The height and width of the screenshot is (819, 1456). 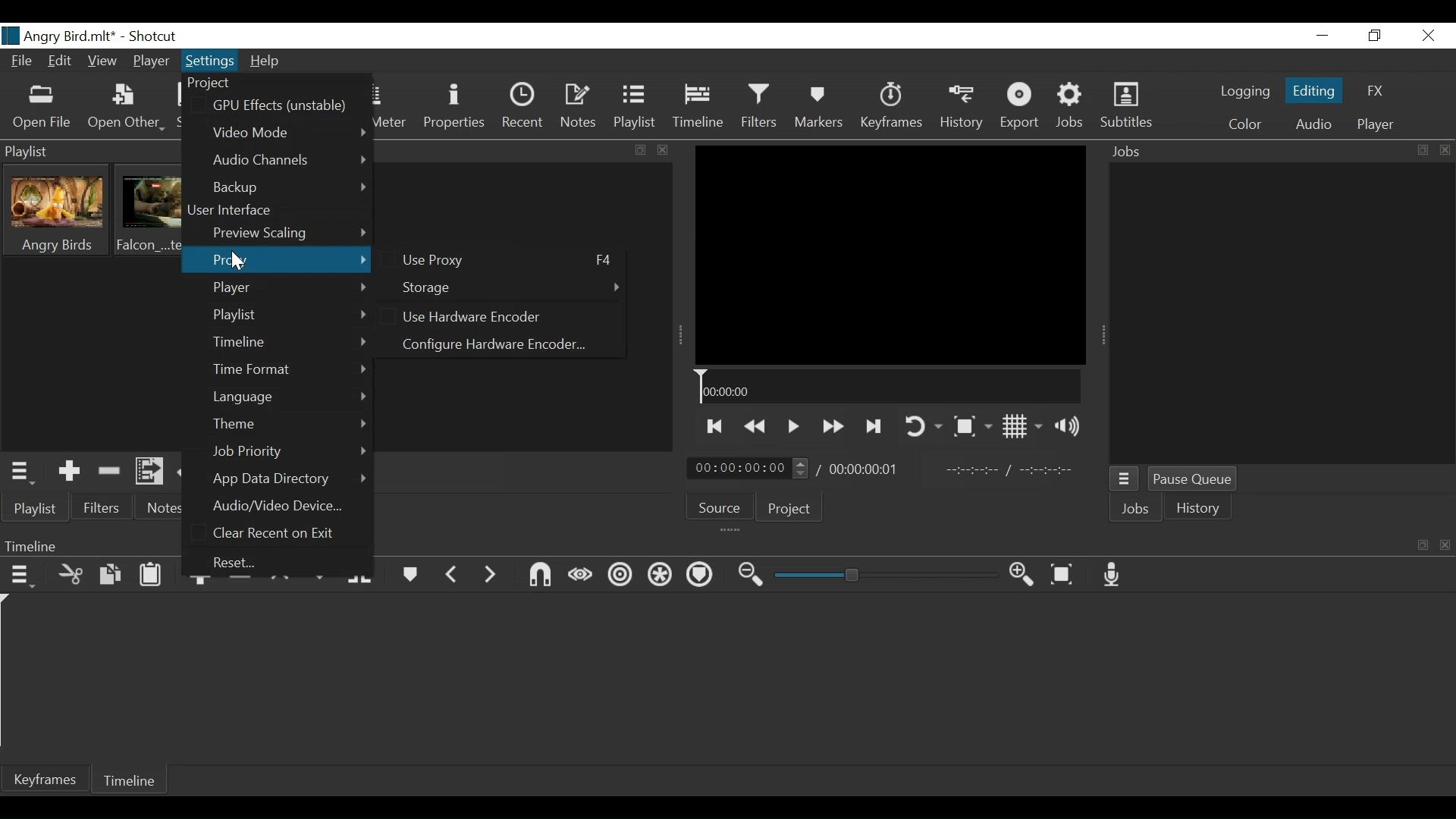 I want to click on User Interface, so click(x=237, y=211).